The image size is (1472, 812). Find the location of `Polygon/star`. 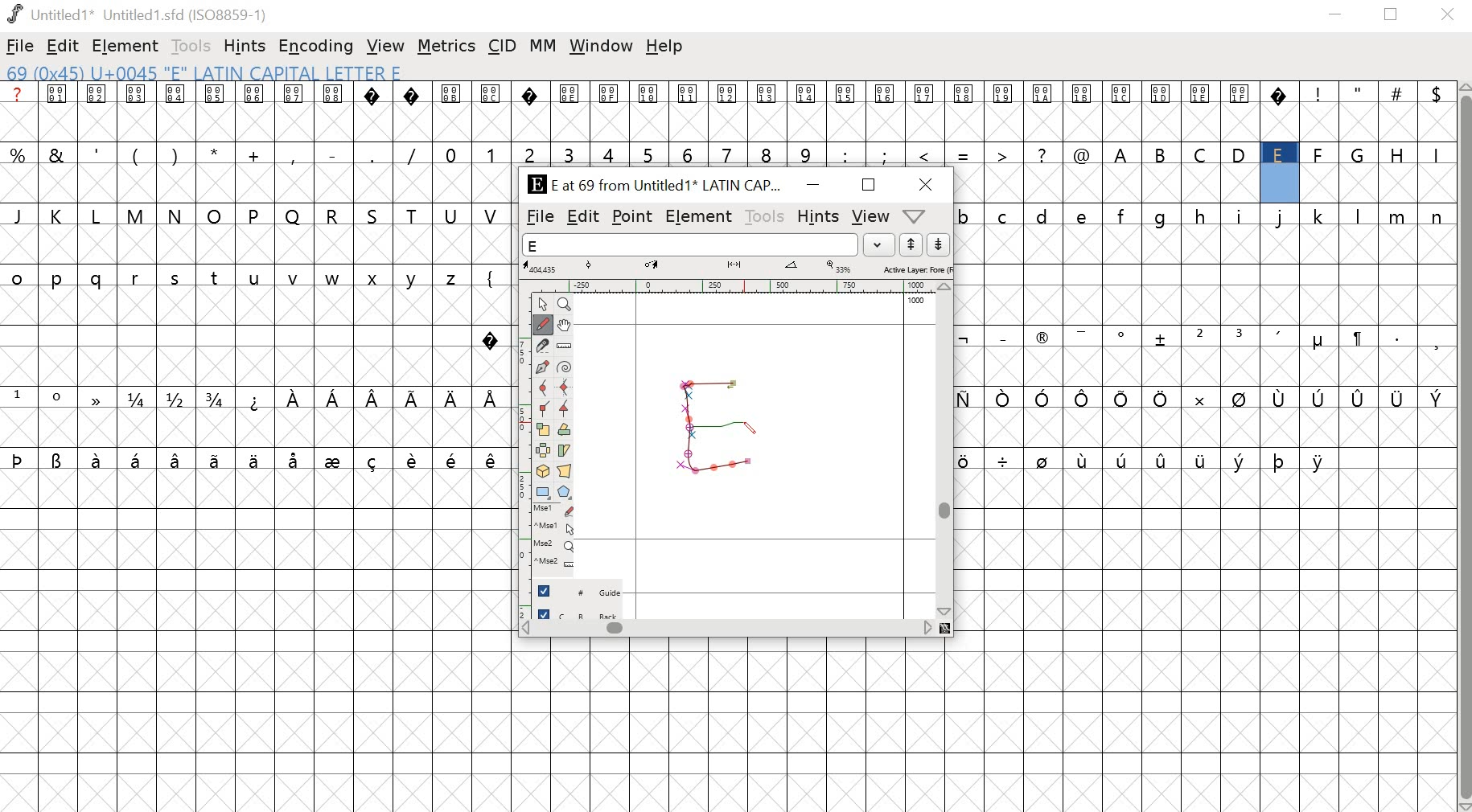

Polygon/star is located at coordinates (562, 493).